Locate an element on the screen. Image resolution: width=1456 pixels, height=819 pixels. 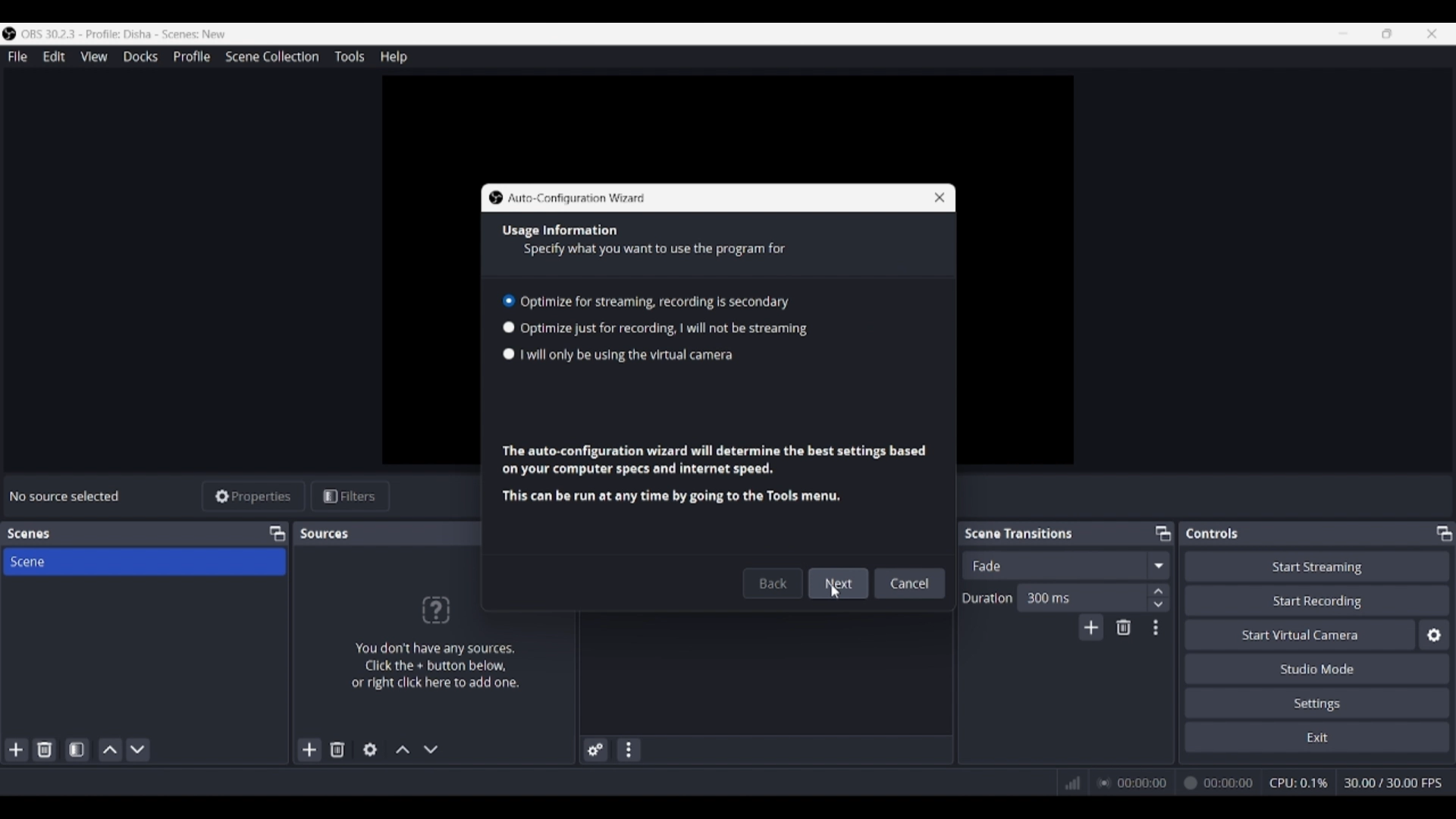
Software and project name is located at coordinates (130, 34).